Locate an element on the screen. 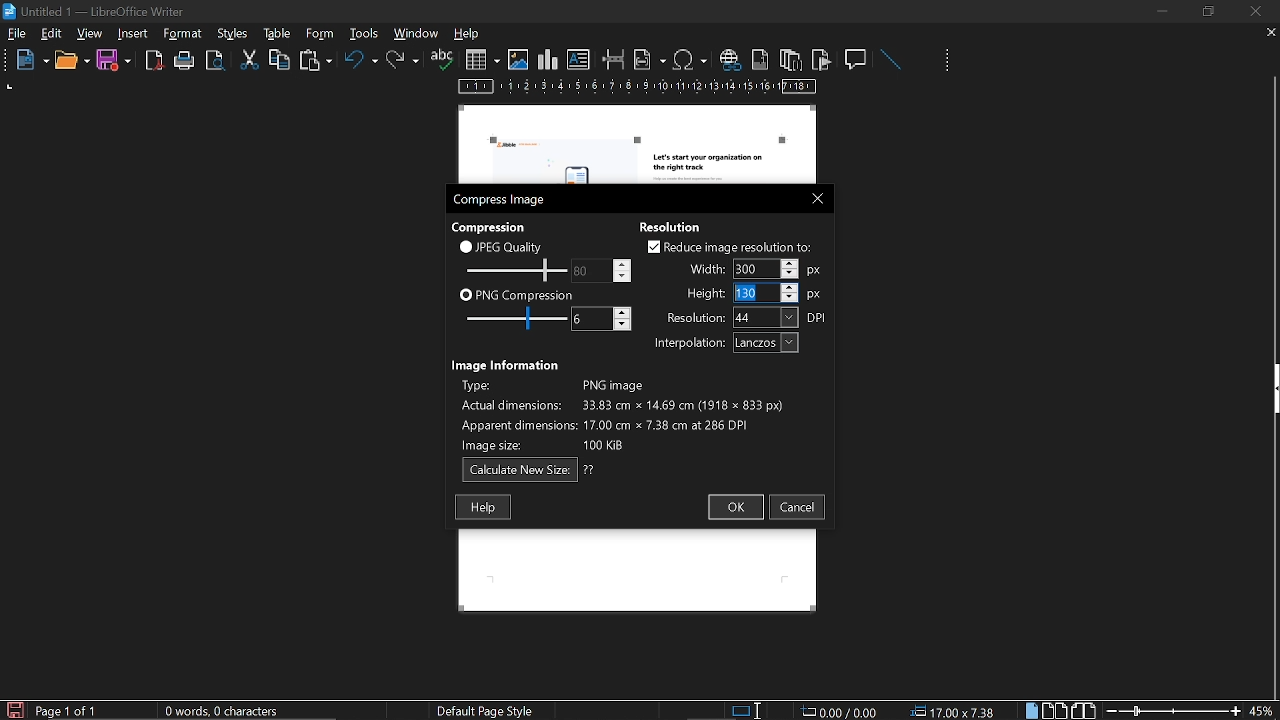  close is located at coordinates (813, 197).